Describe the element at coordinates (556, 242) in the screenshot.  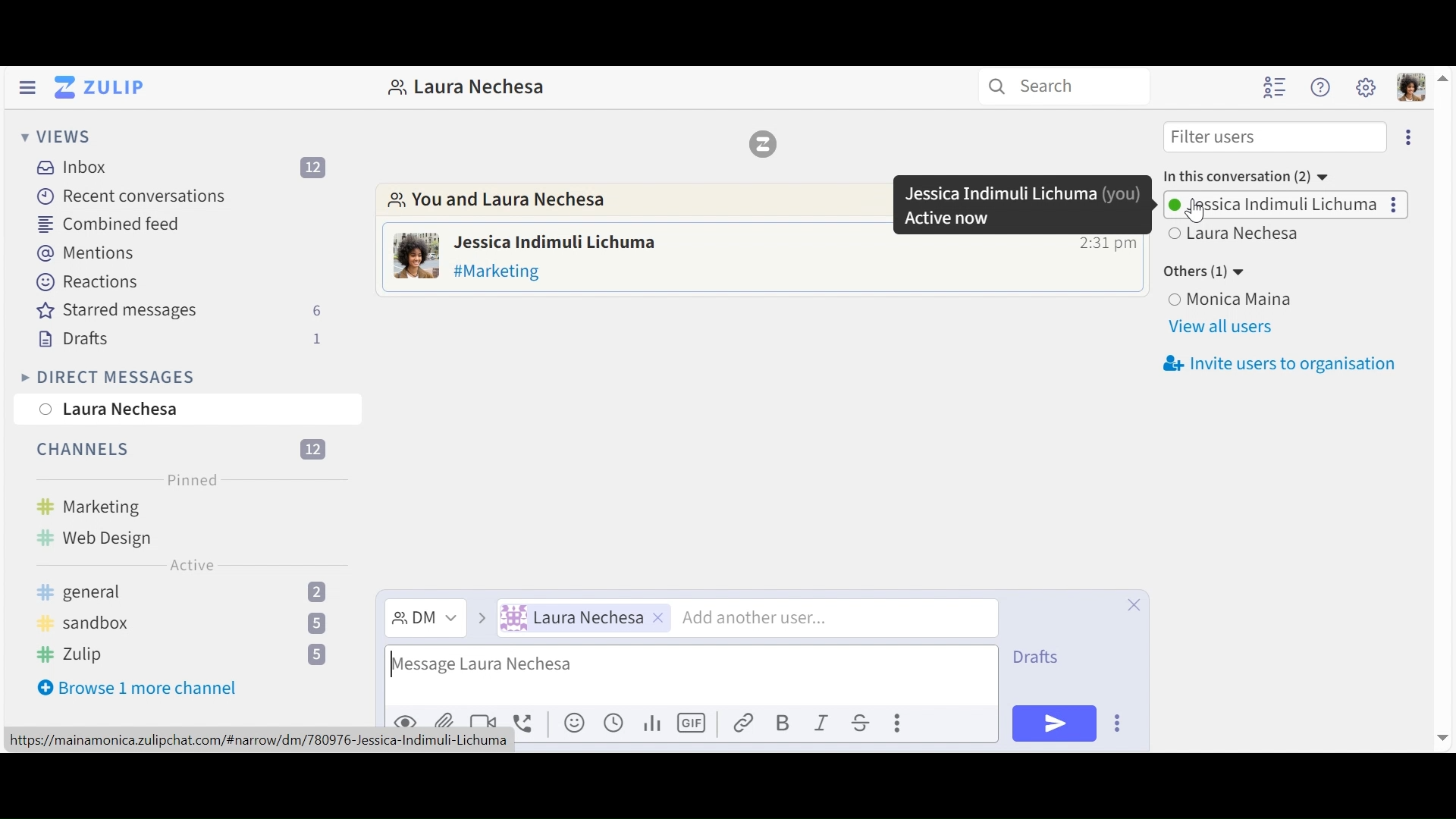
I see `View user card` at that location.